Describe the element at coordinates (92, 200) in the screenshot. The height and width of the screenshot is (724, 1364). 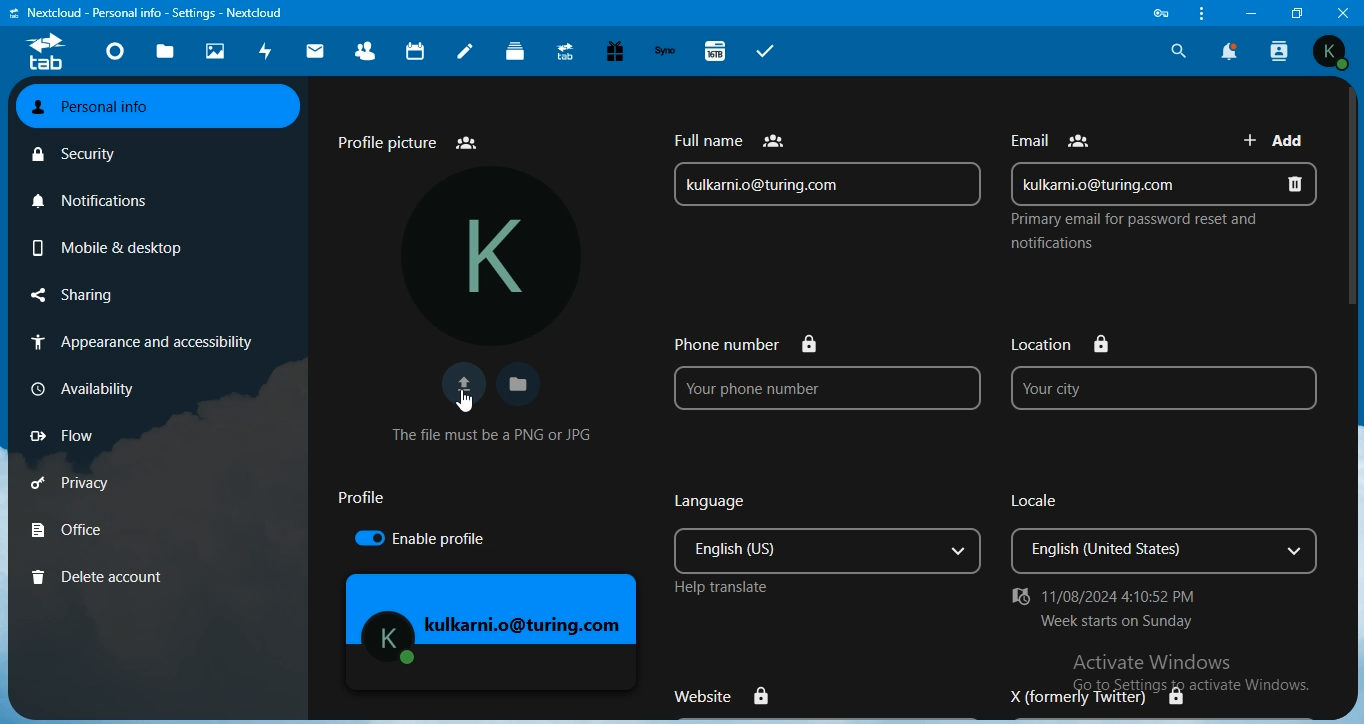
I see `notifications` at that location.